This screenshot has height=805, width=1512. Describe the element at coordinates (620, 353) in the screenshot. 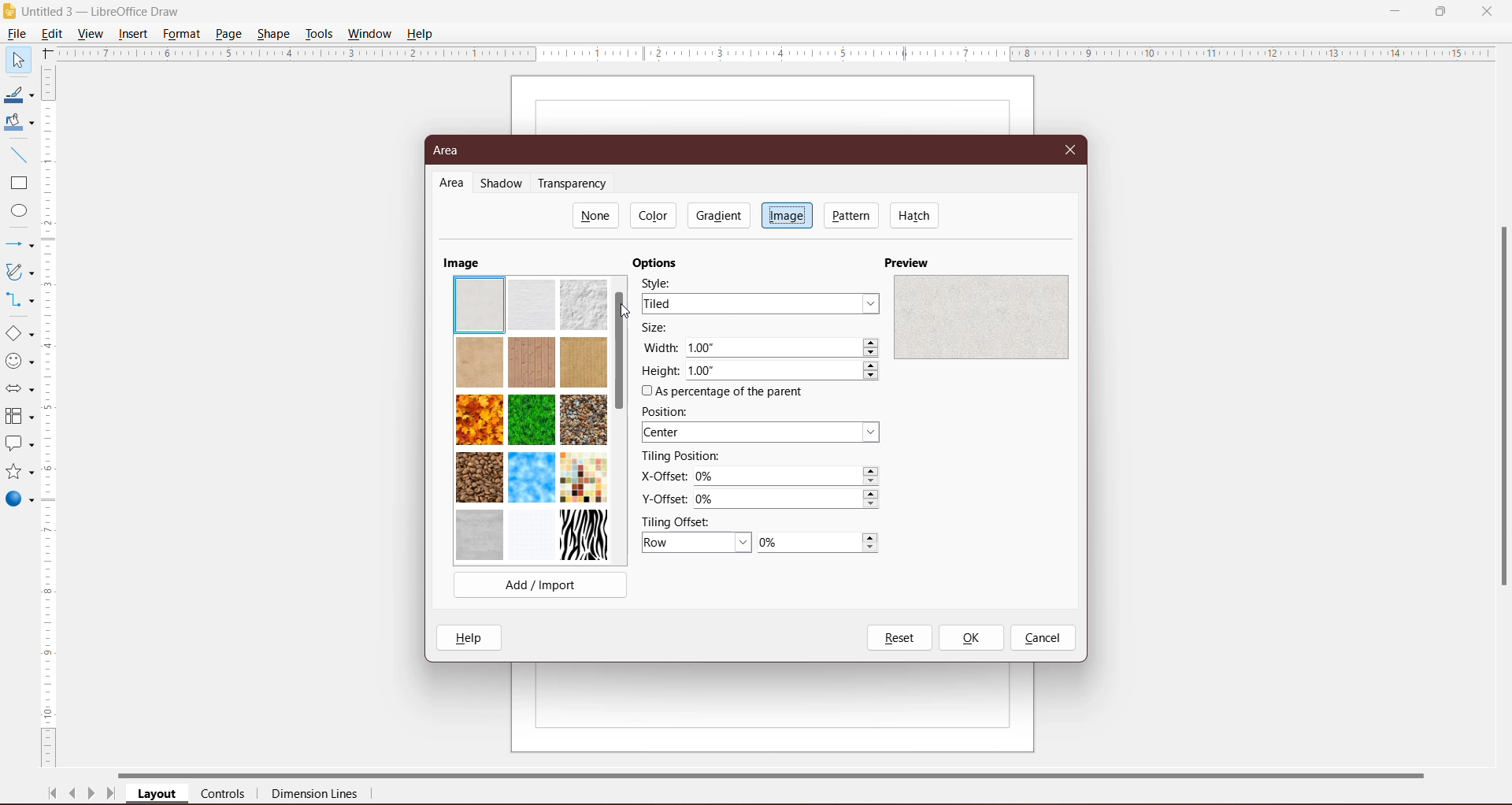

I see `Vertical Scroll Bar` at that location.